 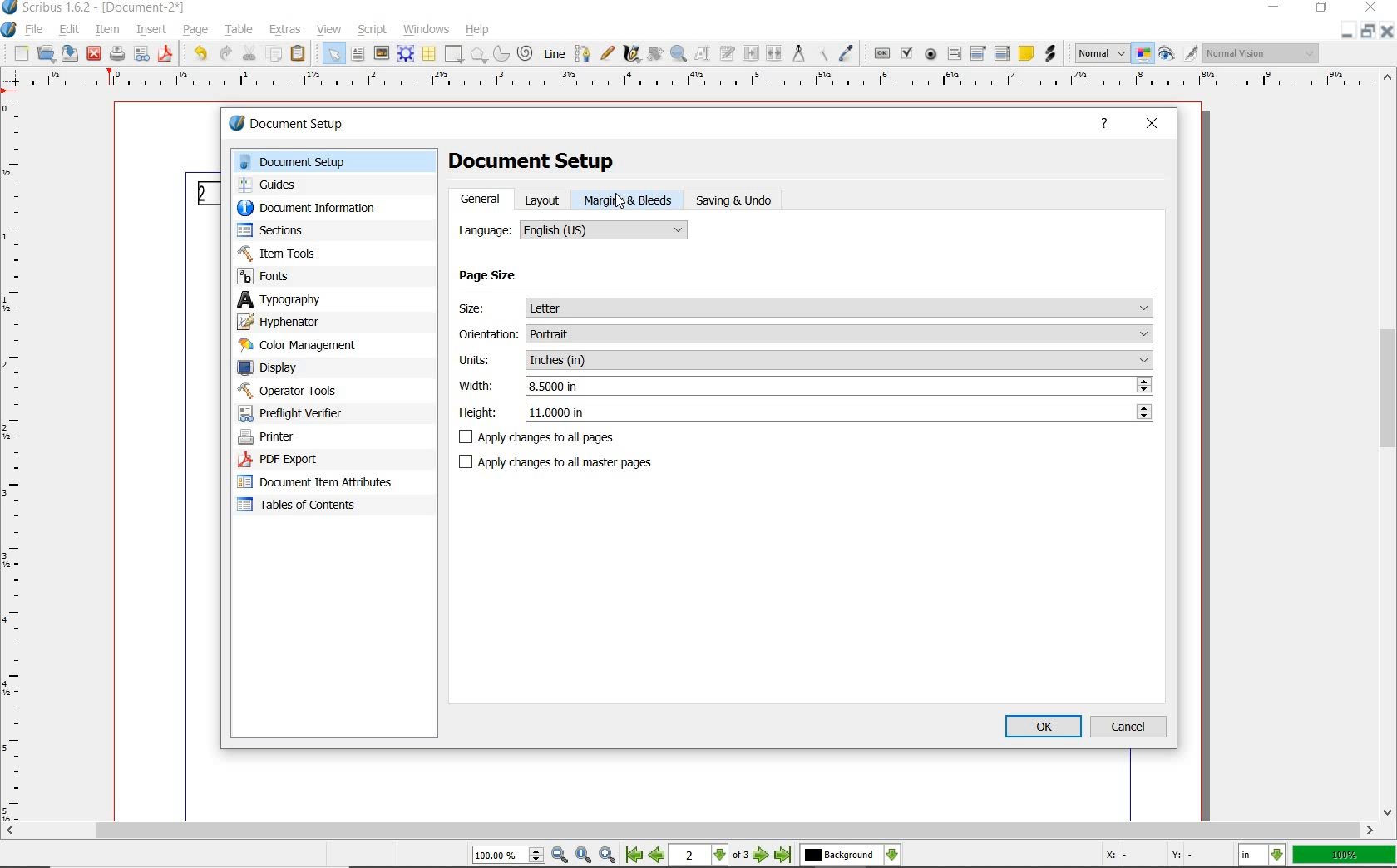 I want to click on document setup, so click(x=534, y=160).